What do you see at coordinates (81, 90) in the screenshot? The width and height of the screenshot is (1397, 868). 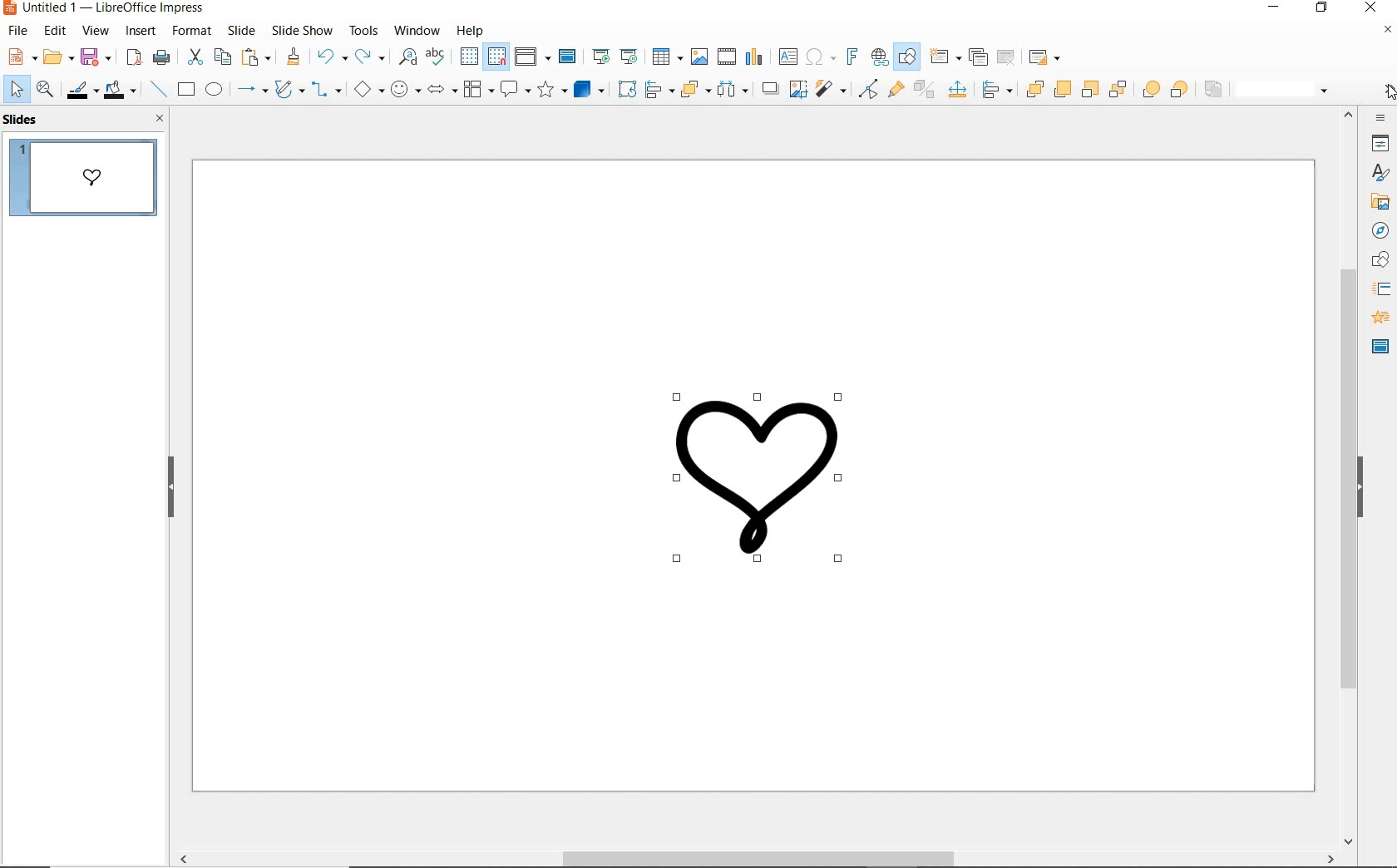 I see `line color` at bounding box center [81, 90].